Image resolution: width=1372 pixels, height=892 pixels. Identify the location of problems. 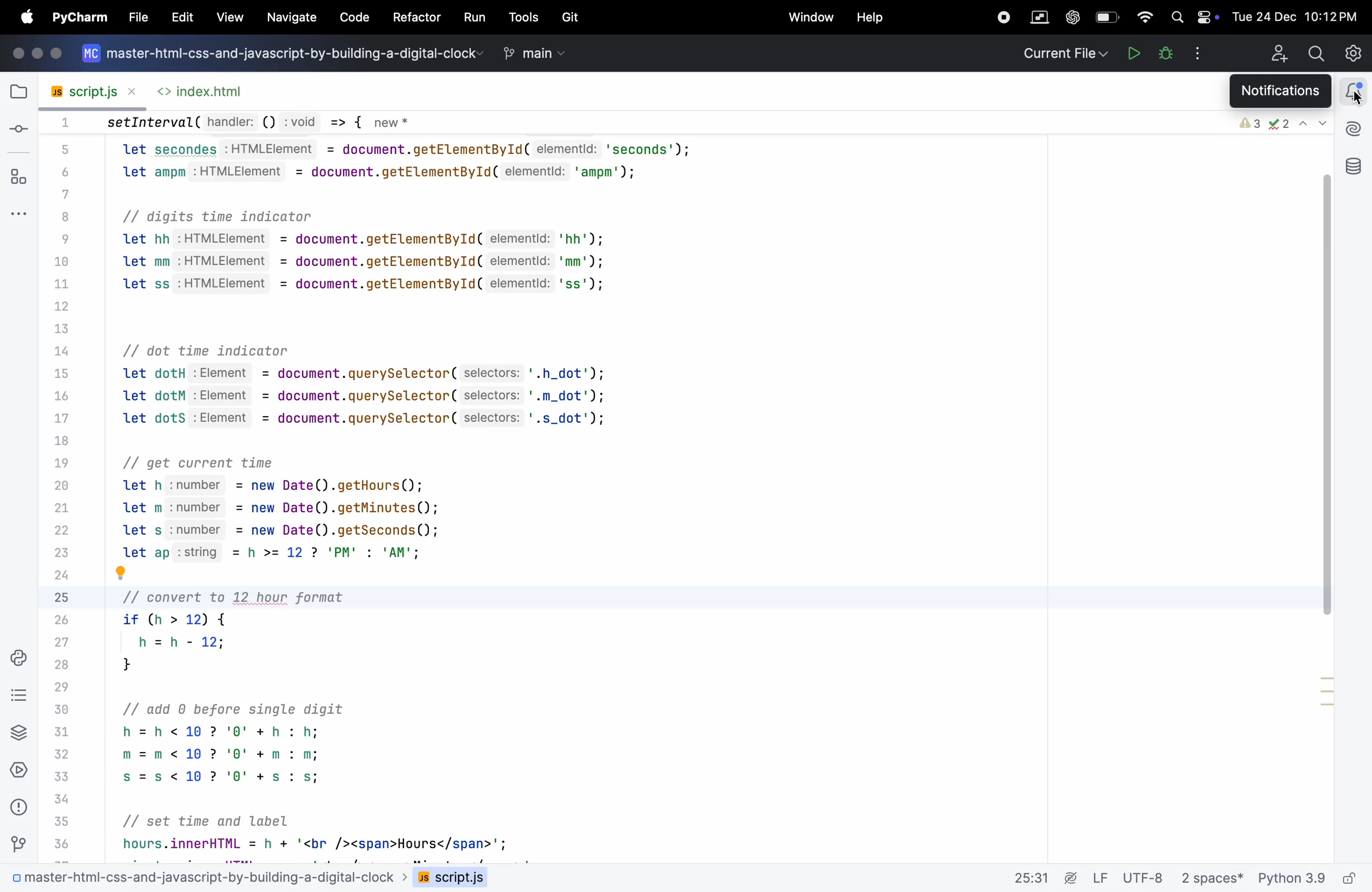
(20, 807).